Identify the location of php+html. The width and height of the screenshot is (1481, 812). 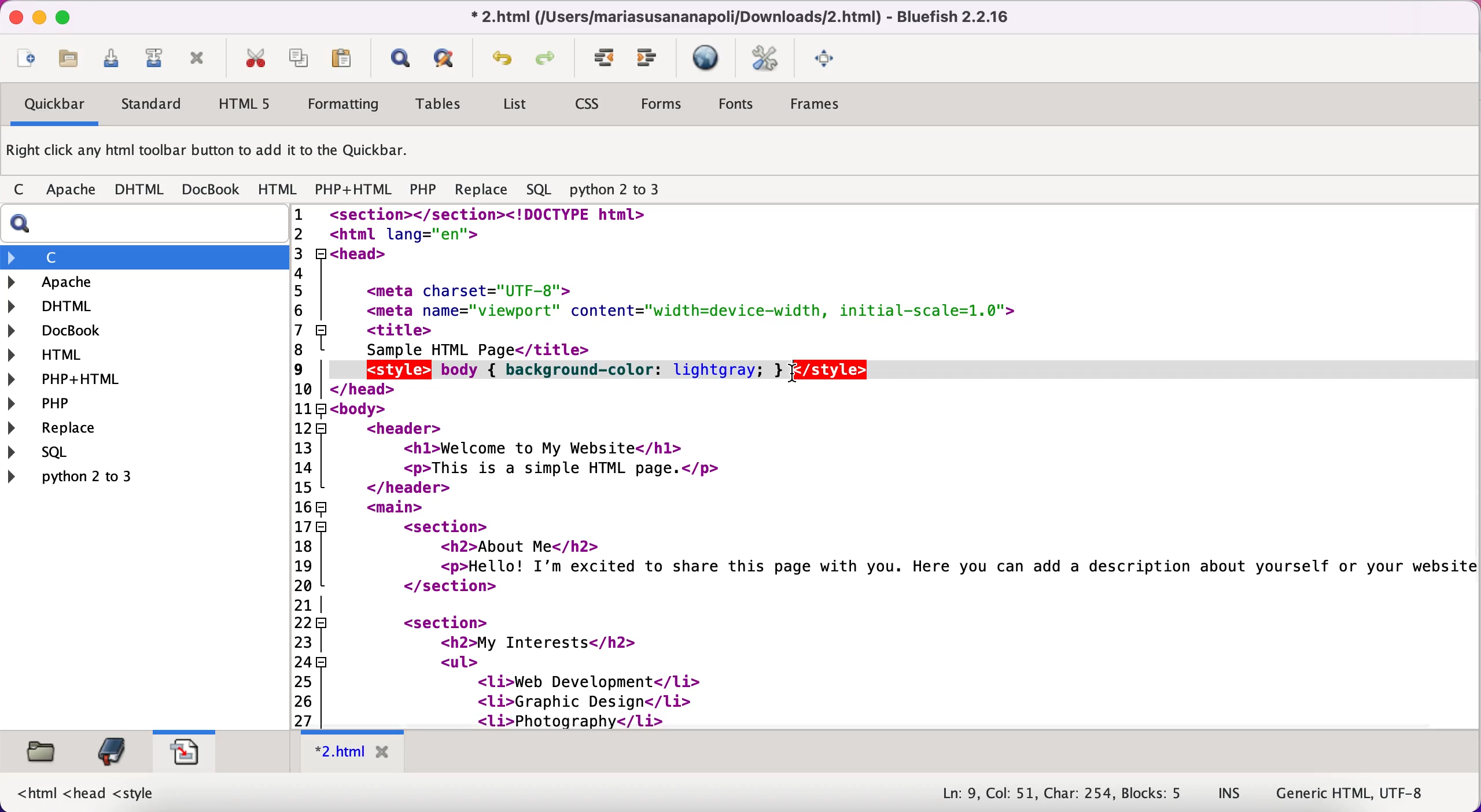
(355, 191).